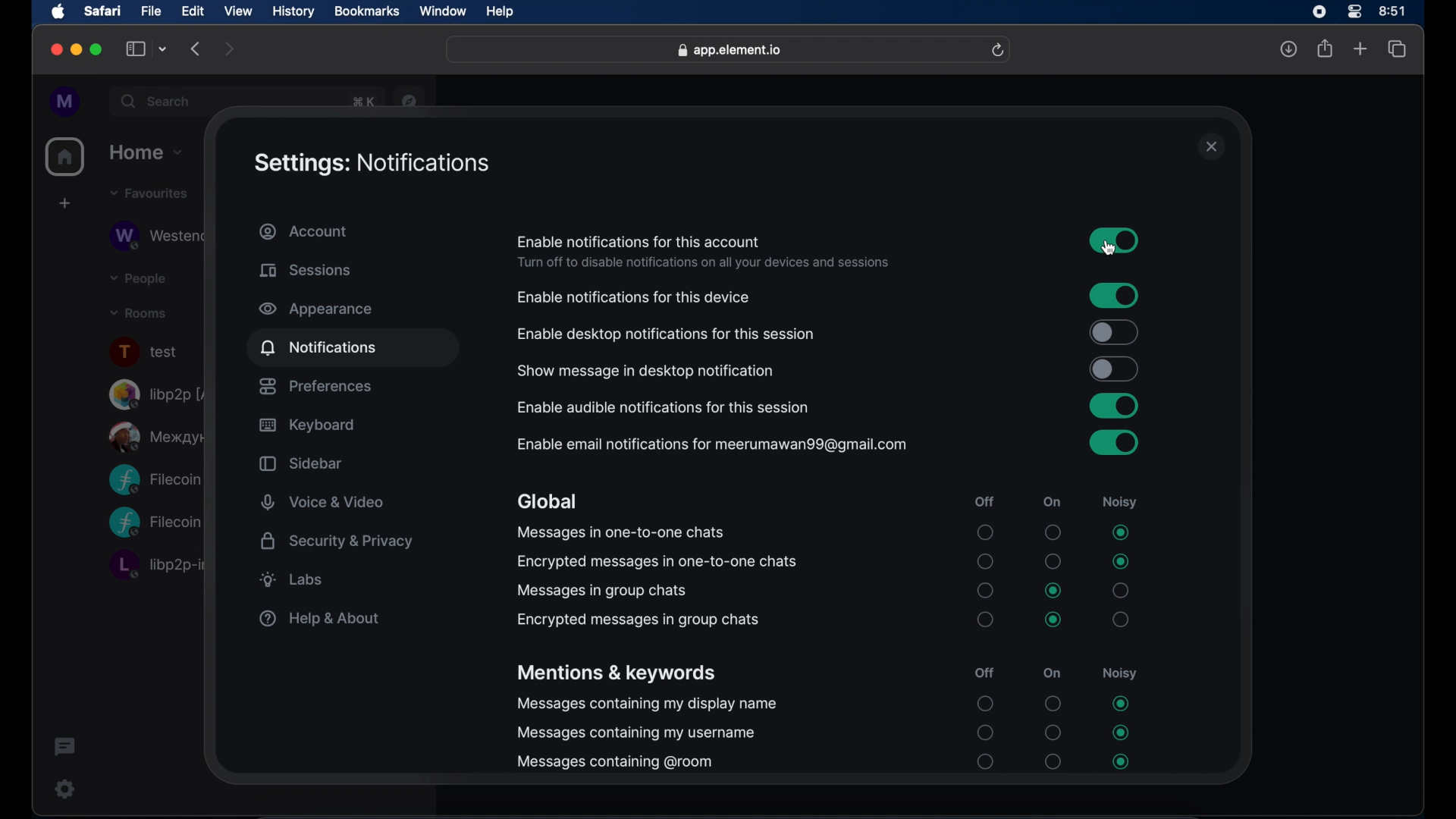 The height and width of the screenshot is (819, 1456). Describe the element at coordinates (193, 12) in the screenshot. I see `edit` at that location.